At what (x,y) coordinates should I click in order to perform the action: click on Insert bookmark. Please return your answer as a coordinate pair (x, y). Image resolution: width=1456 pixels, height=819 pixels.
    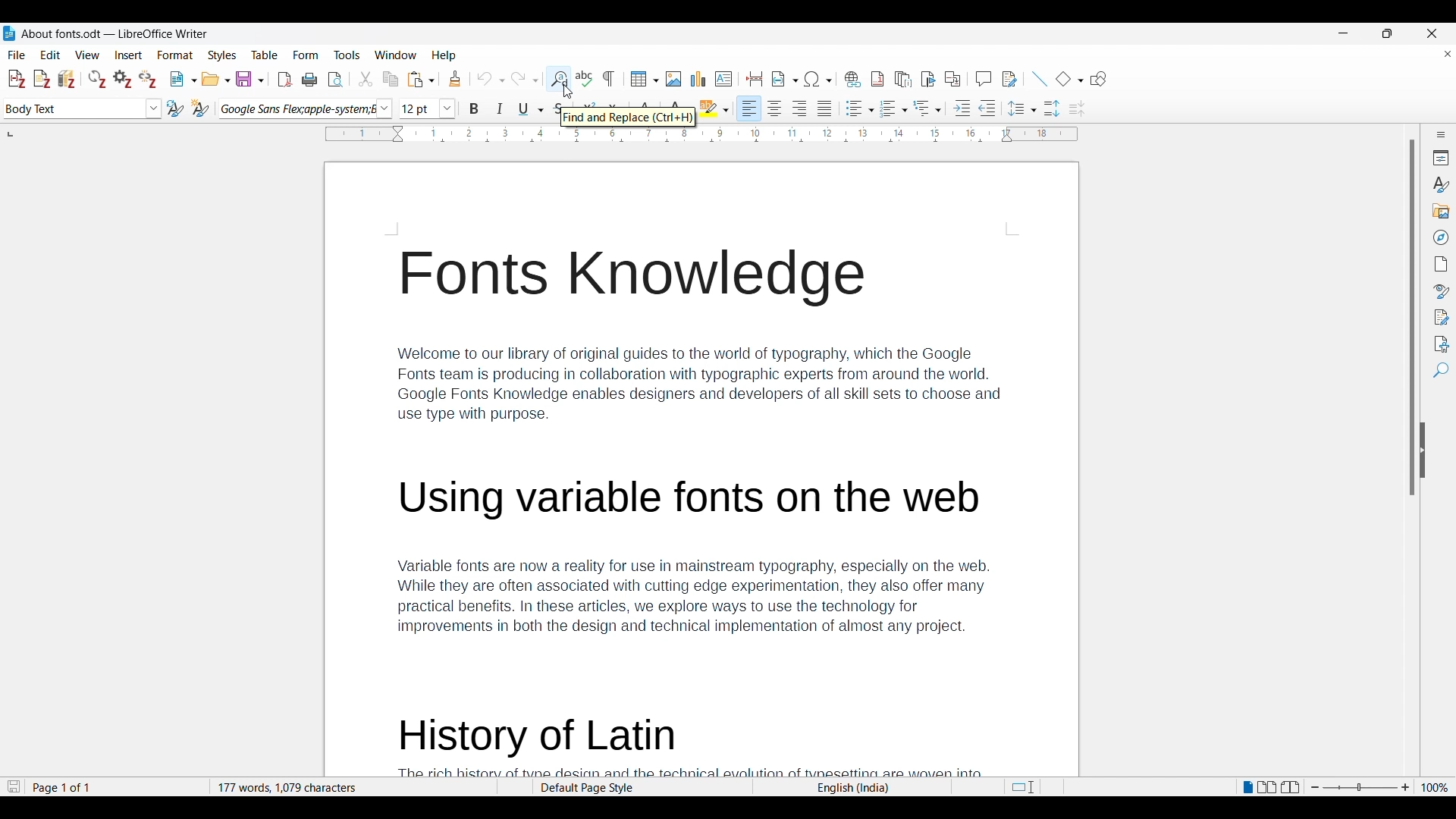
    Looking at the image, I should click on (928, 78).